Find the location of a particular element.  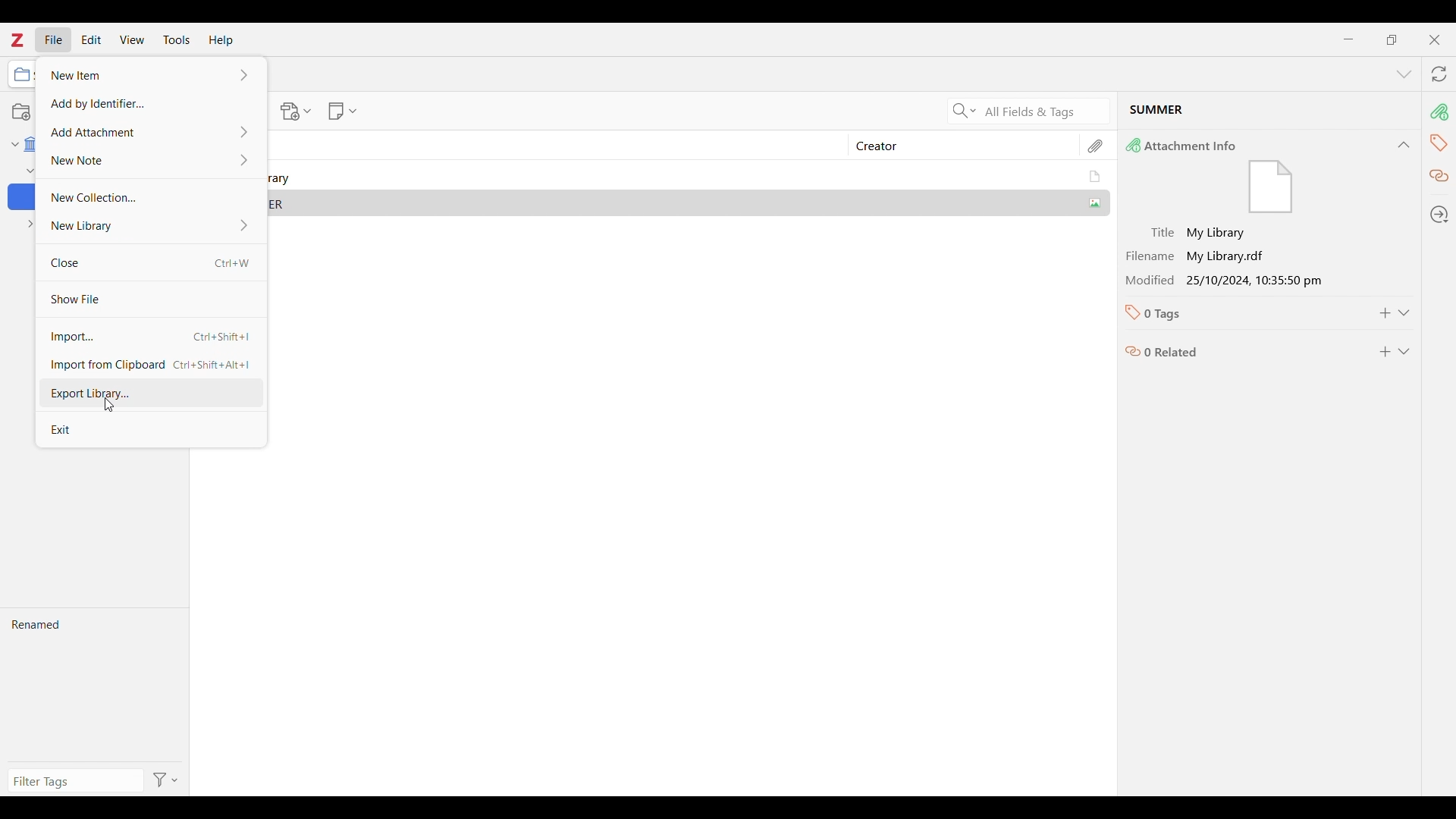

maximize is located at coordinates (1392, 39).